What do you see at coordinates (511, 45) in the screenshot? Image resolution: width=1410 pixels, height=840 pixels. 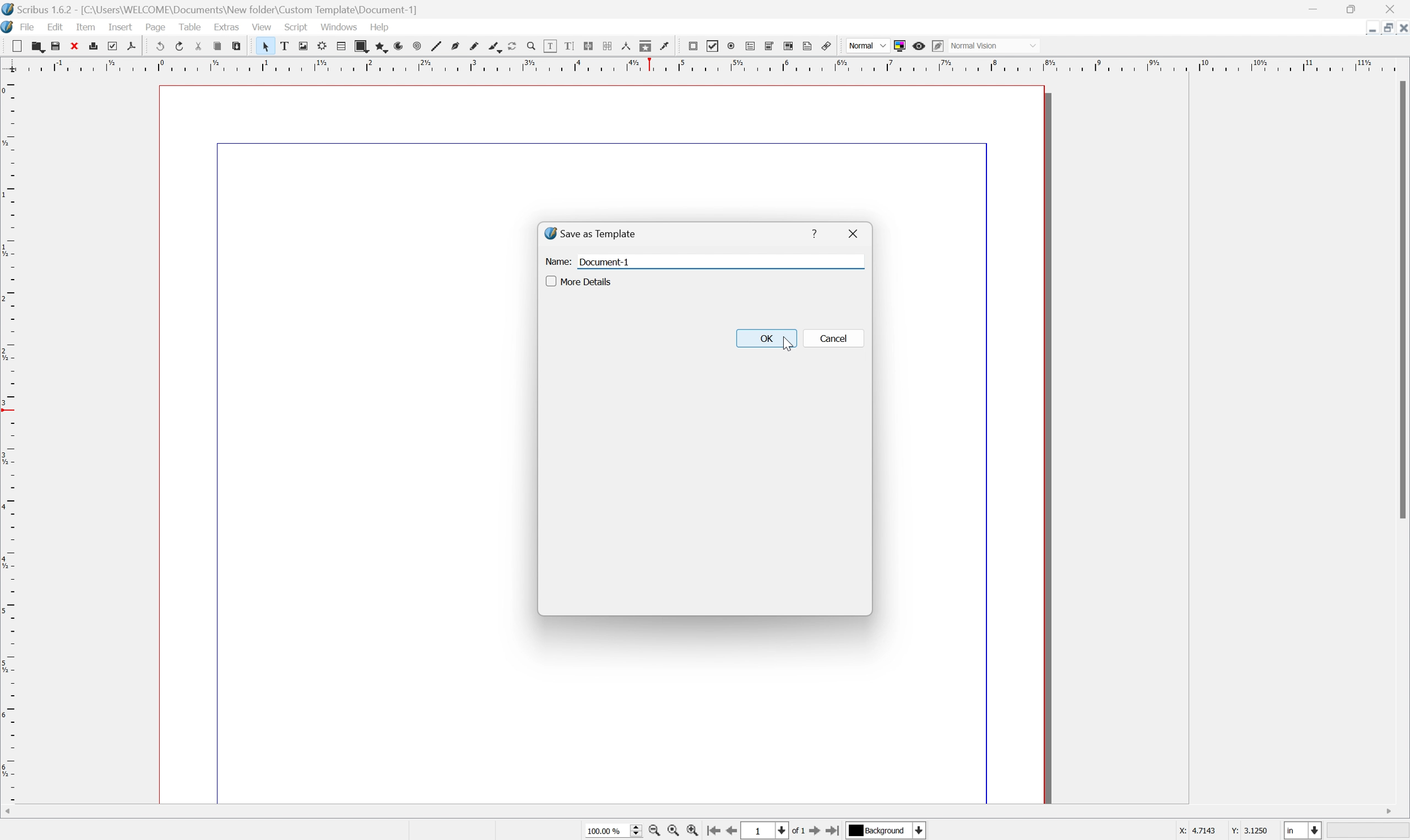 I see `Rotate item` at bounding box center [511, 45].